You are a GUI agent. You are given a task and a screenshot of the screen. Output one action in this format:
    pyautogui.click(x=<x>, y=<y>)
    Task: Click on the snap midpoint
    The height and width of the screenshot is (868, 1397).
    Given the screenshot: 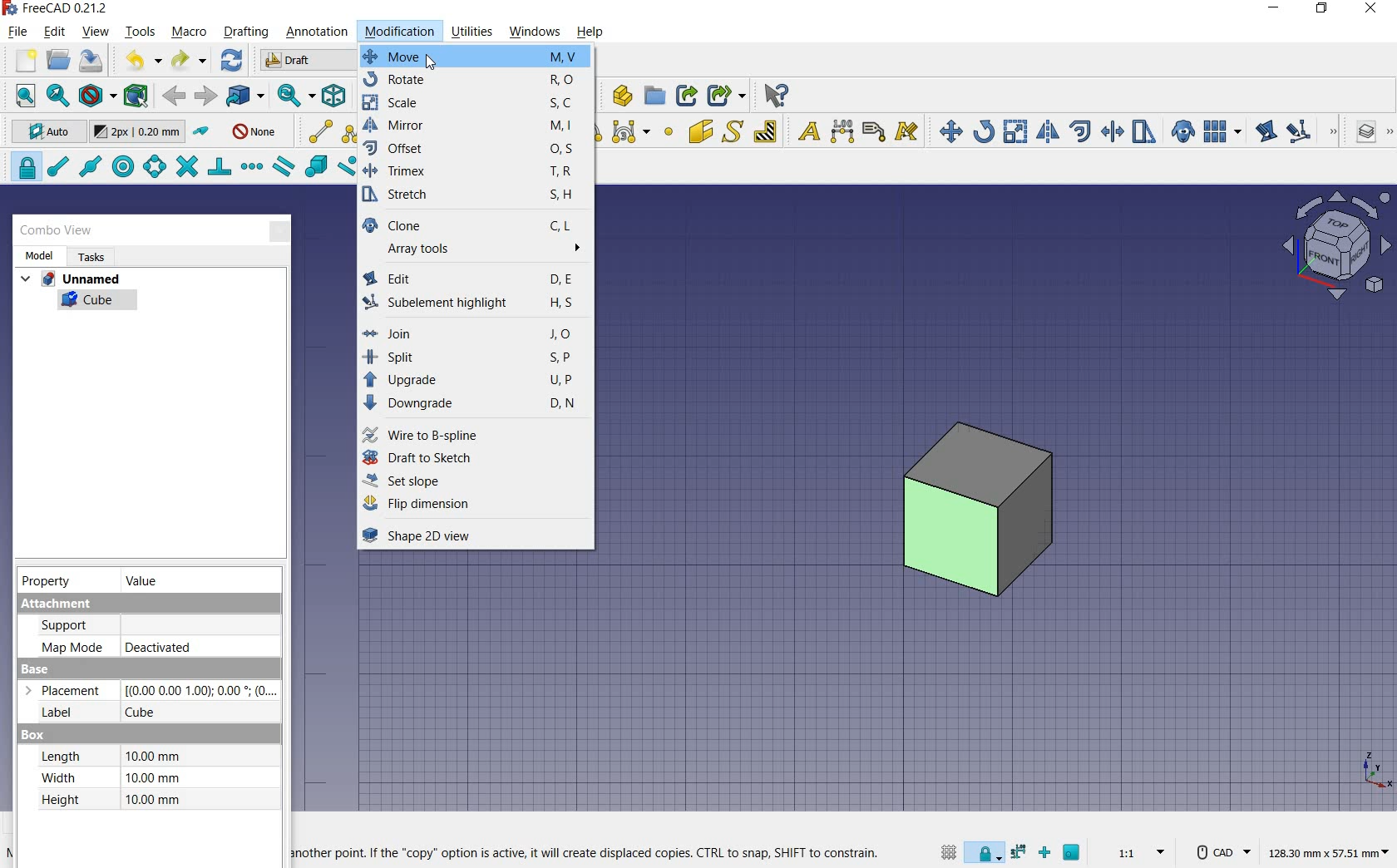 What is the action you would take?
    pyautogui.click(x=91, y=167)
    